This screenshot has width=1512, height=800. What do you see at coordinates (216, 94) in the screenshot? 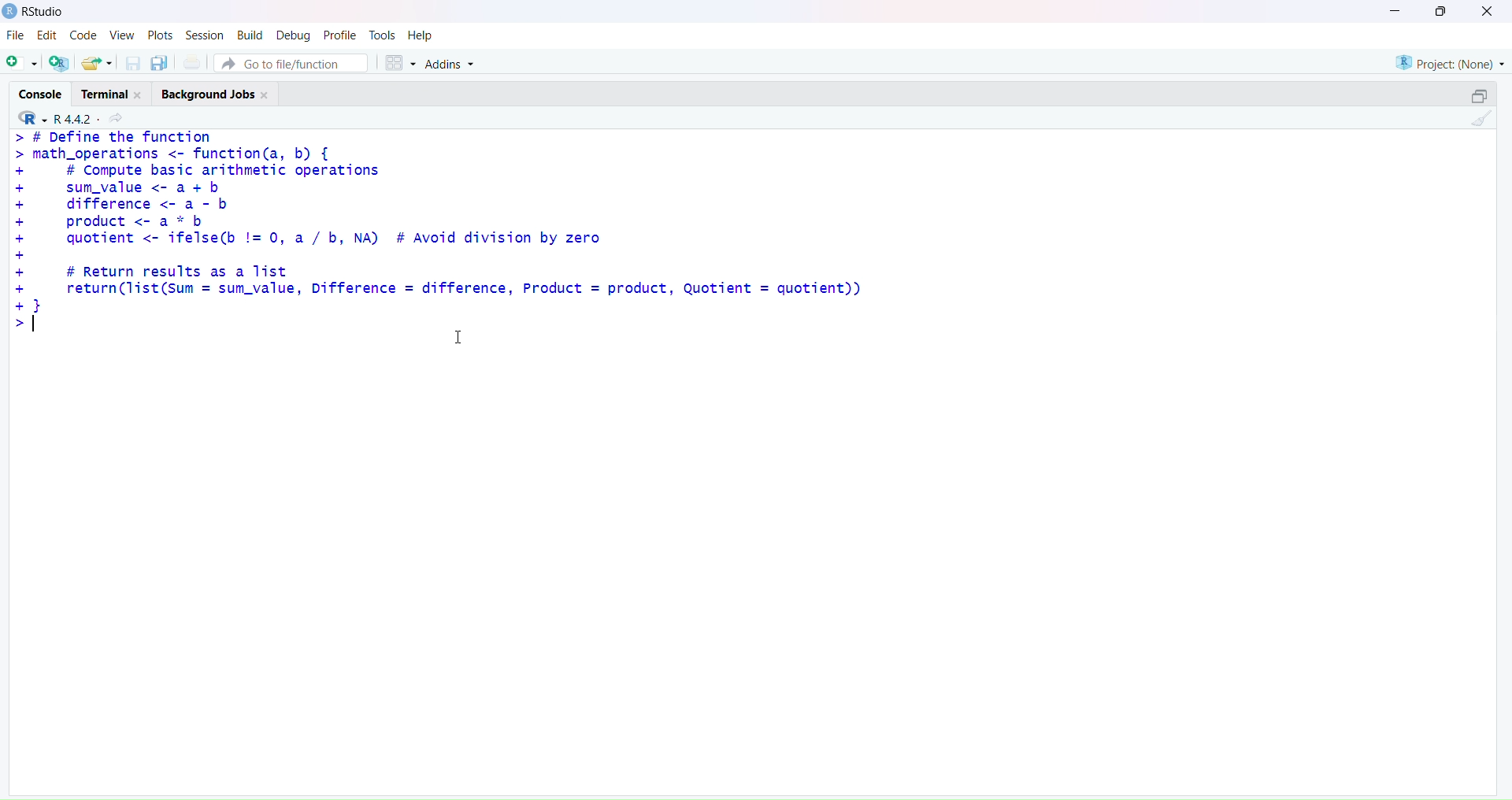
I see `Background Jobs` at bounding box center [216, 94].